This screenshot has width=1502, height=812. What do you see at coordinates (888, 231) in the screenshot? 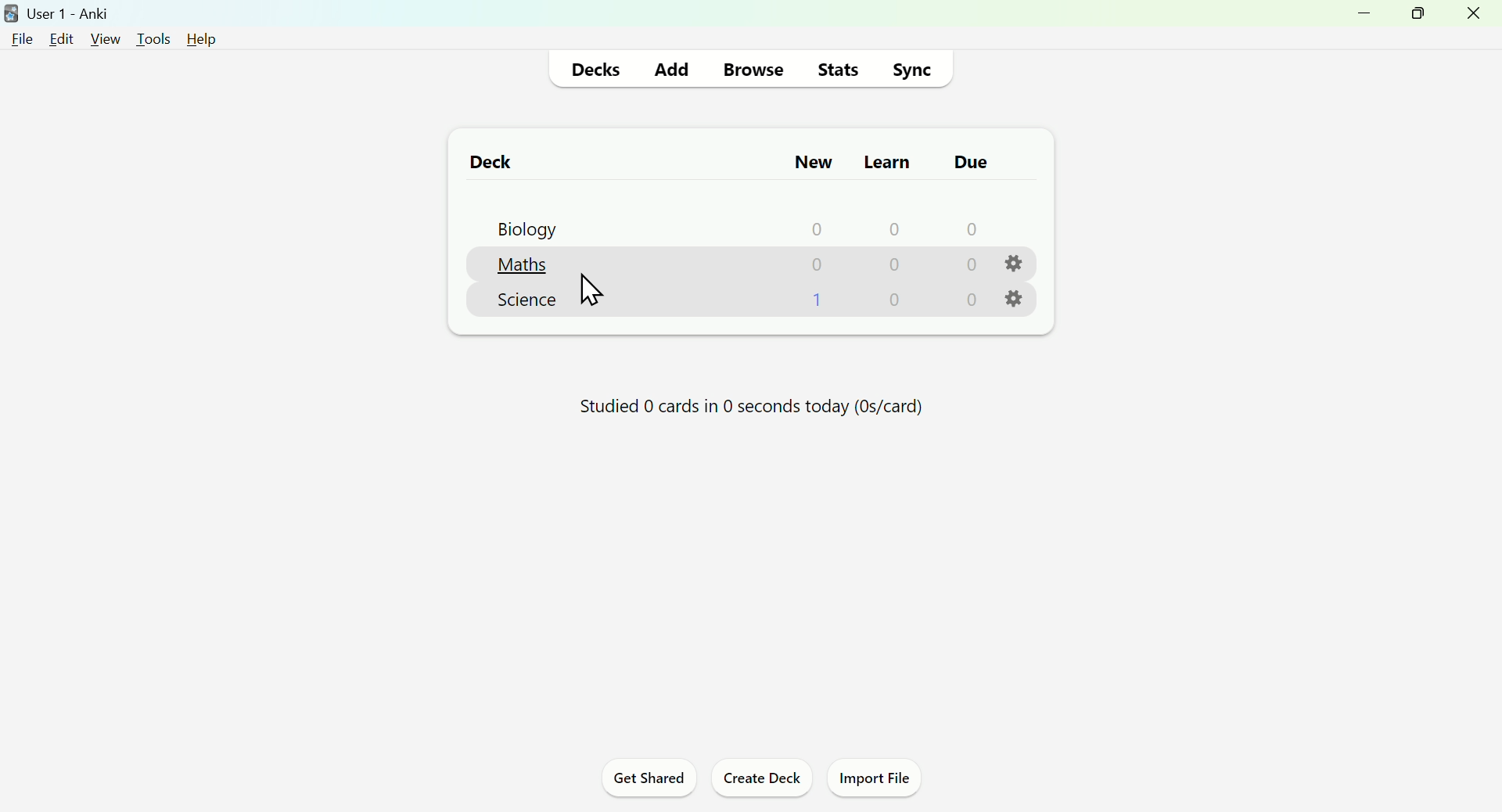
I see `0` at bounding box center [888, 231].